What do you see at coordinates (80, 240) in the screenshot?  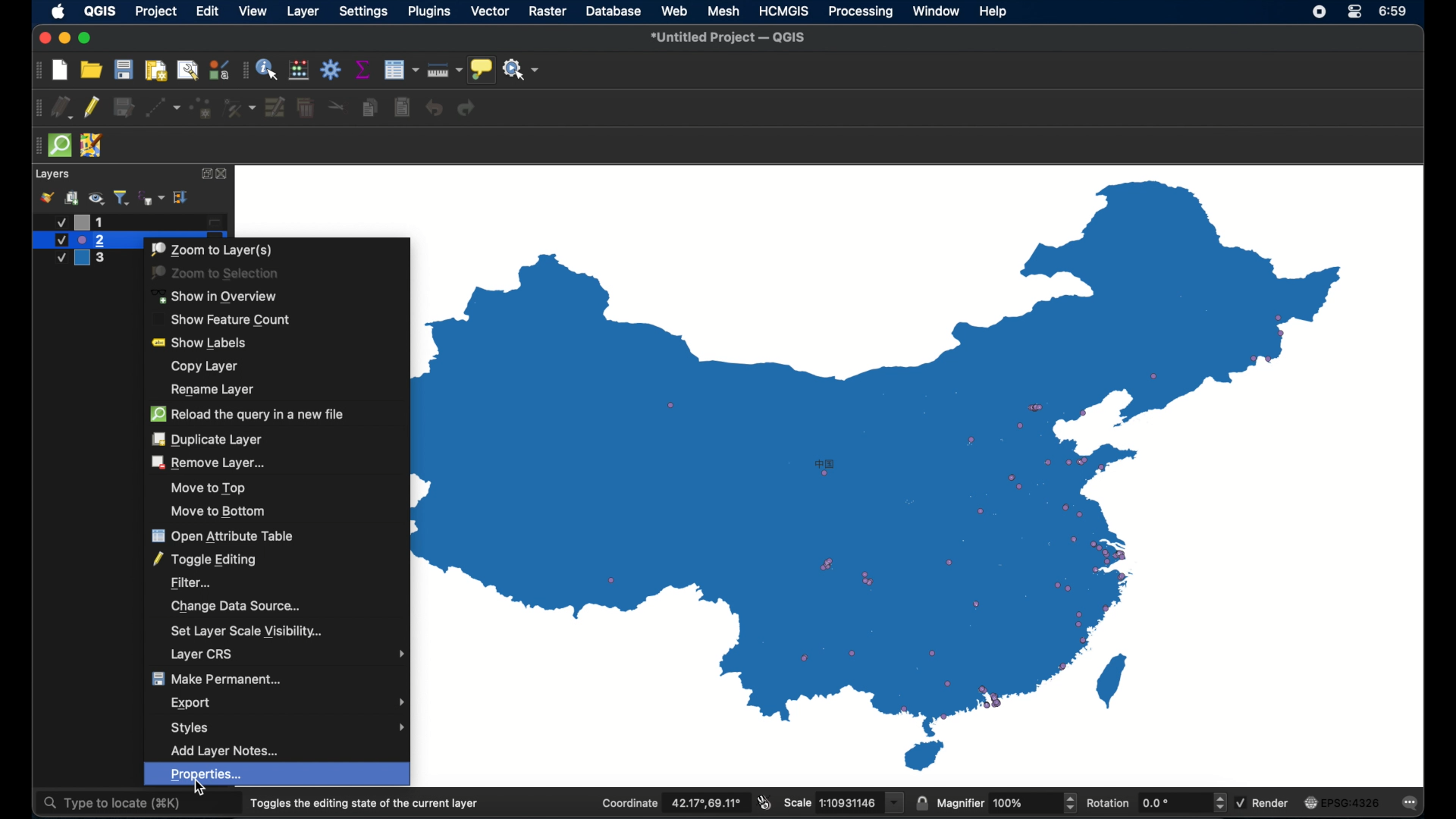 I see `layer 2` at bounding box center [80, 240].